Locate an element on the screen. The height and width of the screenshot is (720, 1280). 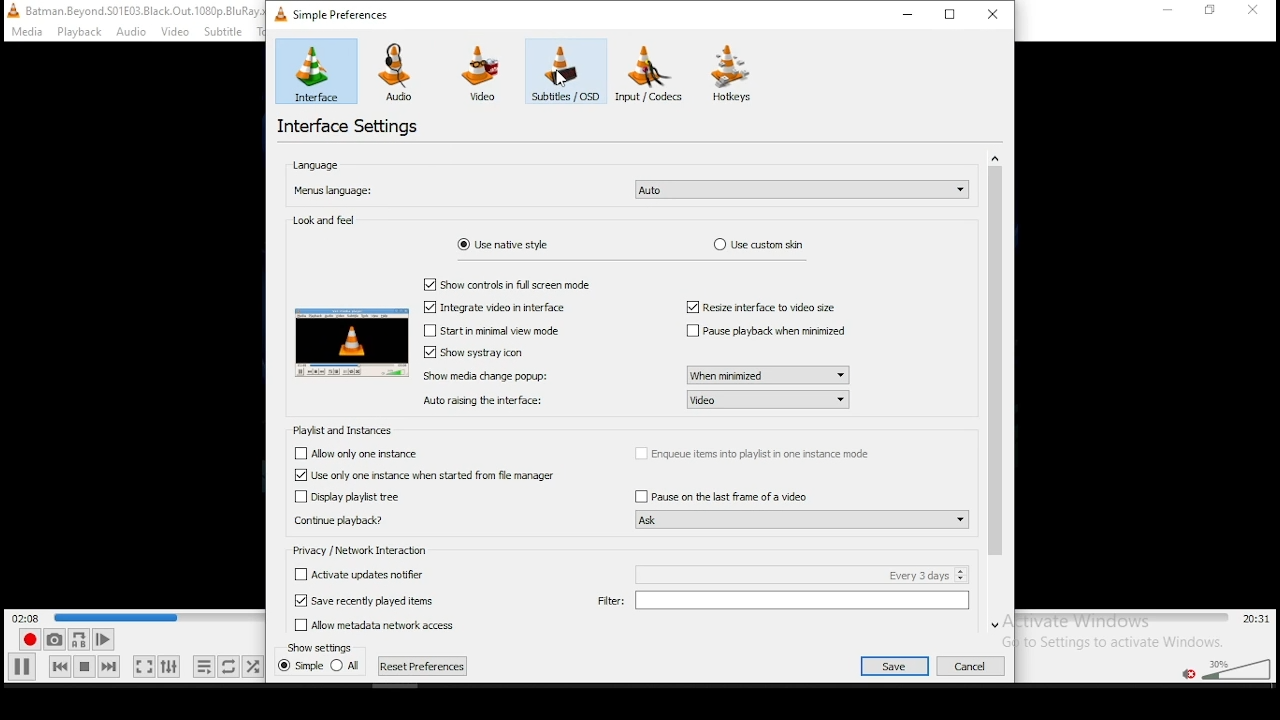
show extended settings is located at coordinates (168, 667).